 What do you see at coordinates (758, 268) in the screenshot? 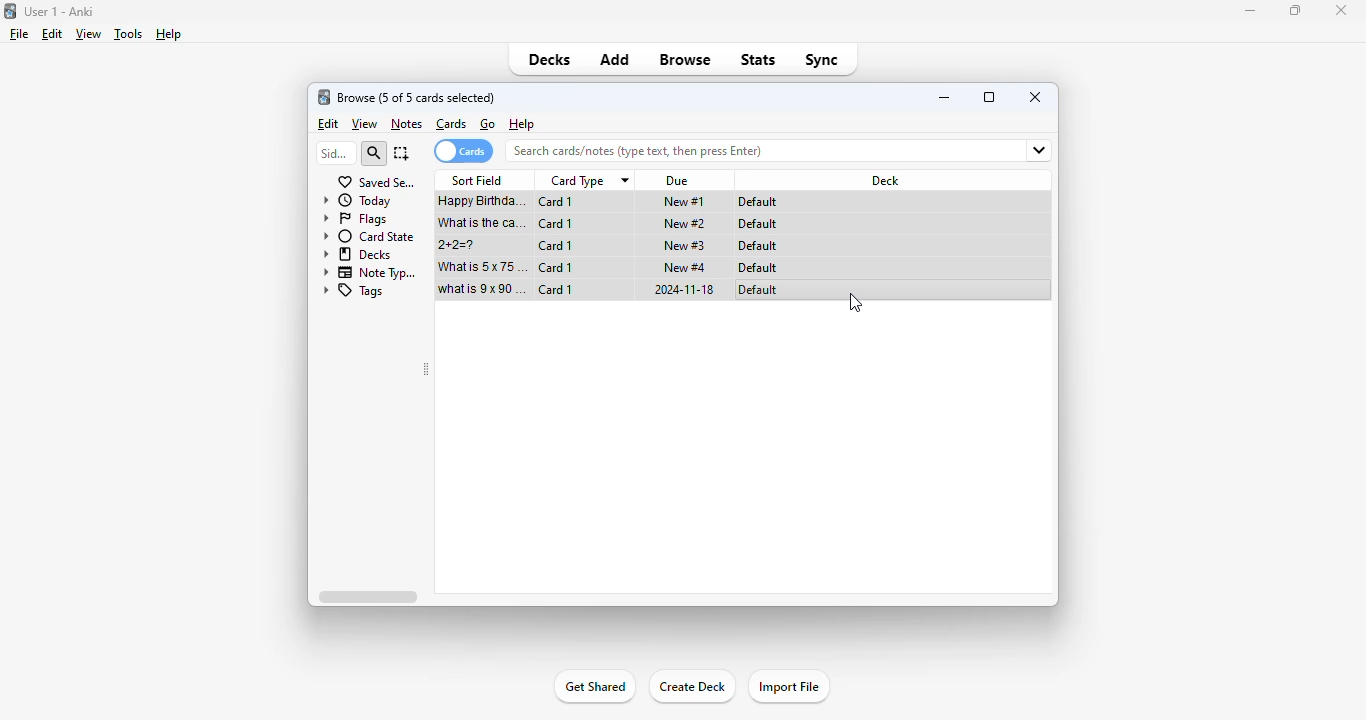
I see `default` at bounding box center [758, 268].